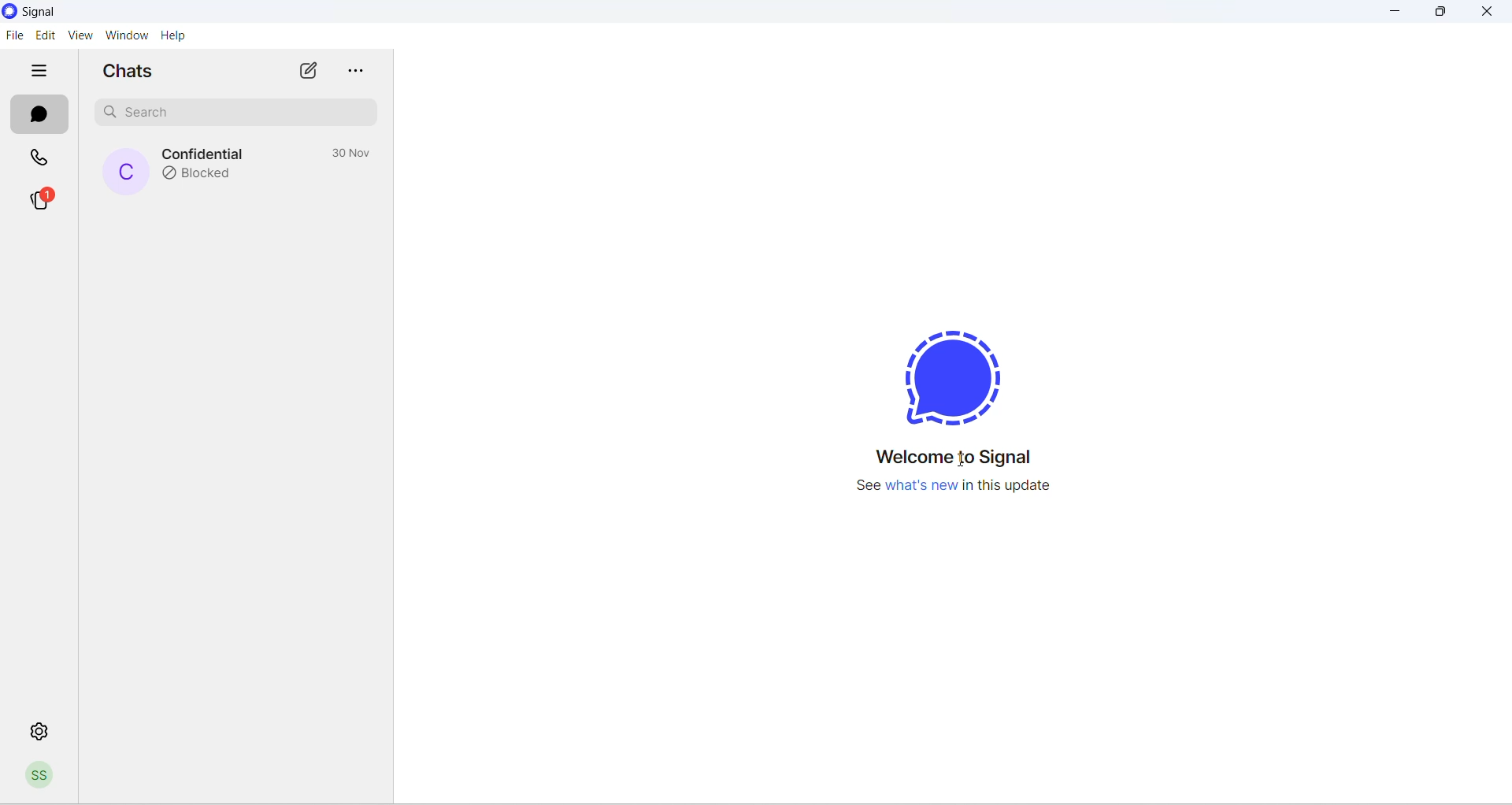 The width and height of the screenshot is (1512, 805). What do you see at coordinates (965, 495) in the screenshot?
I see `information regarding new update` at bounding box center [965, 495].